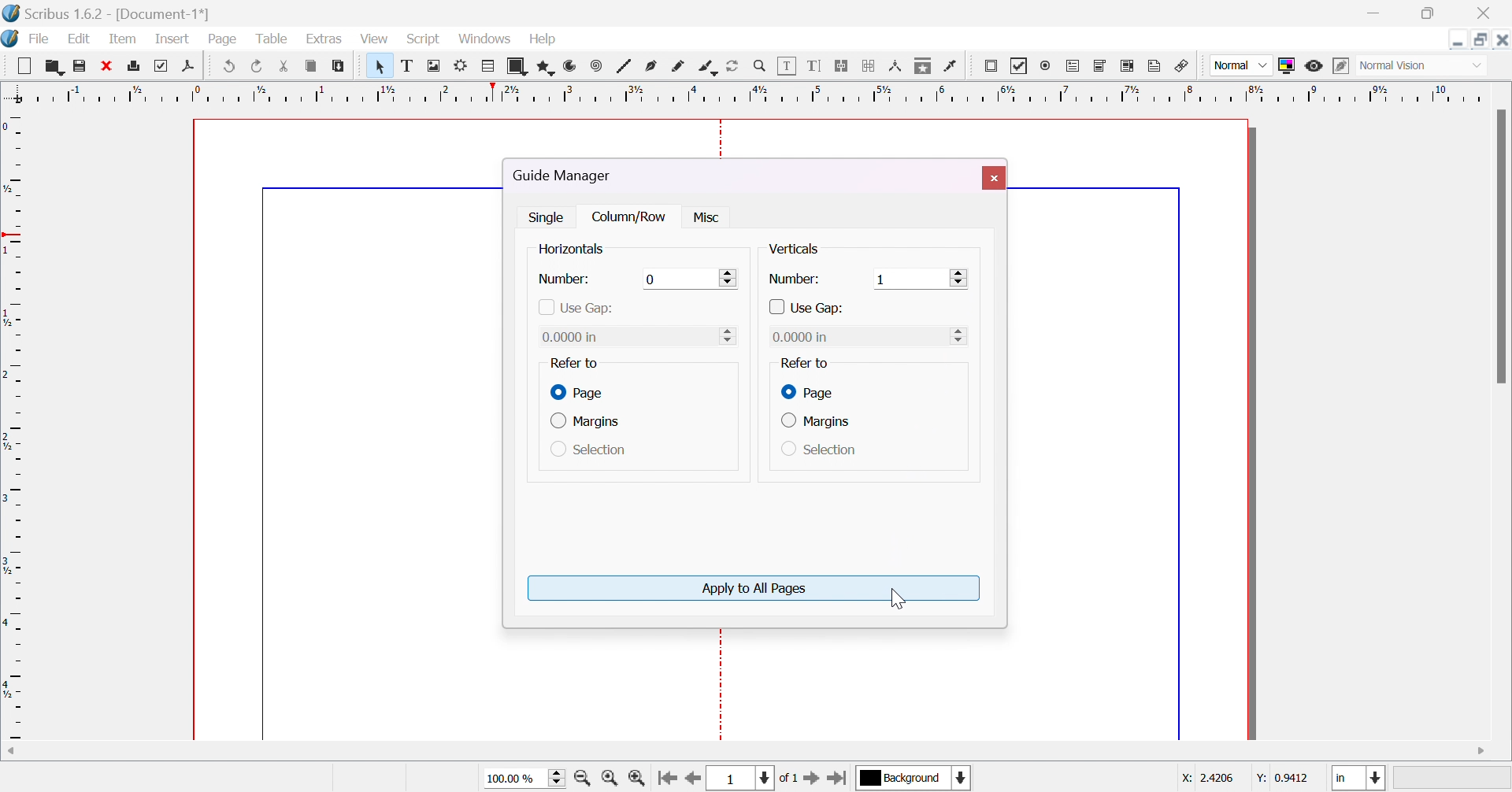  Describe the element at coordinates (1100, 67) in the screenshot. I see `PDF combo box` at that location.